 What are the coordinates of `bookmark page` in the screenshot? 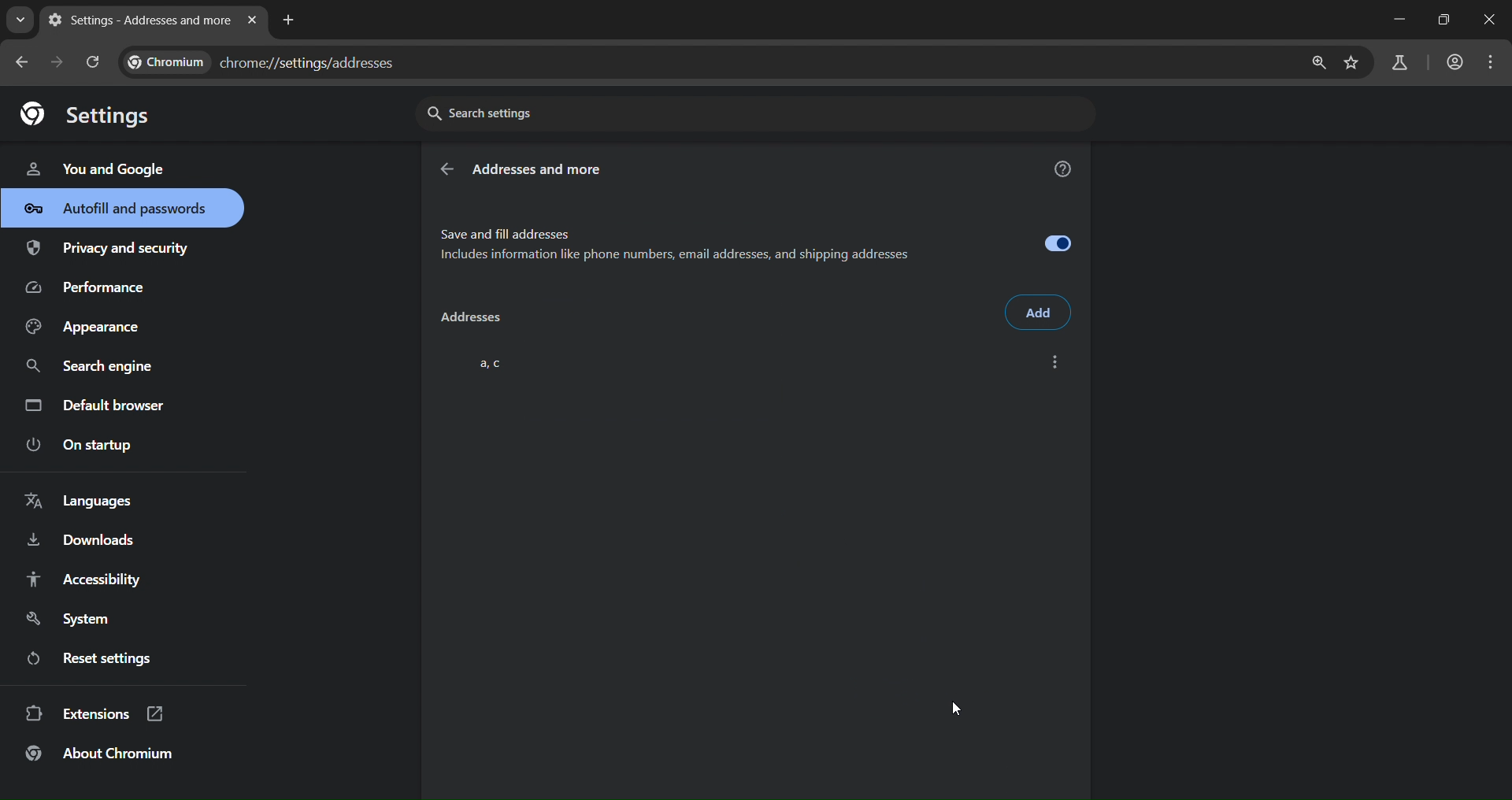 It's located at (1352, 64).